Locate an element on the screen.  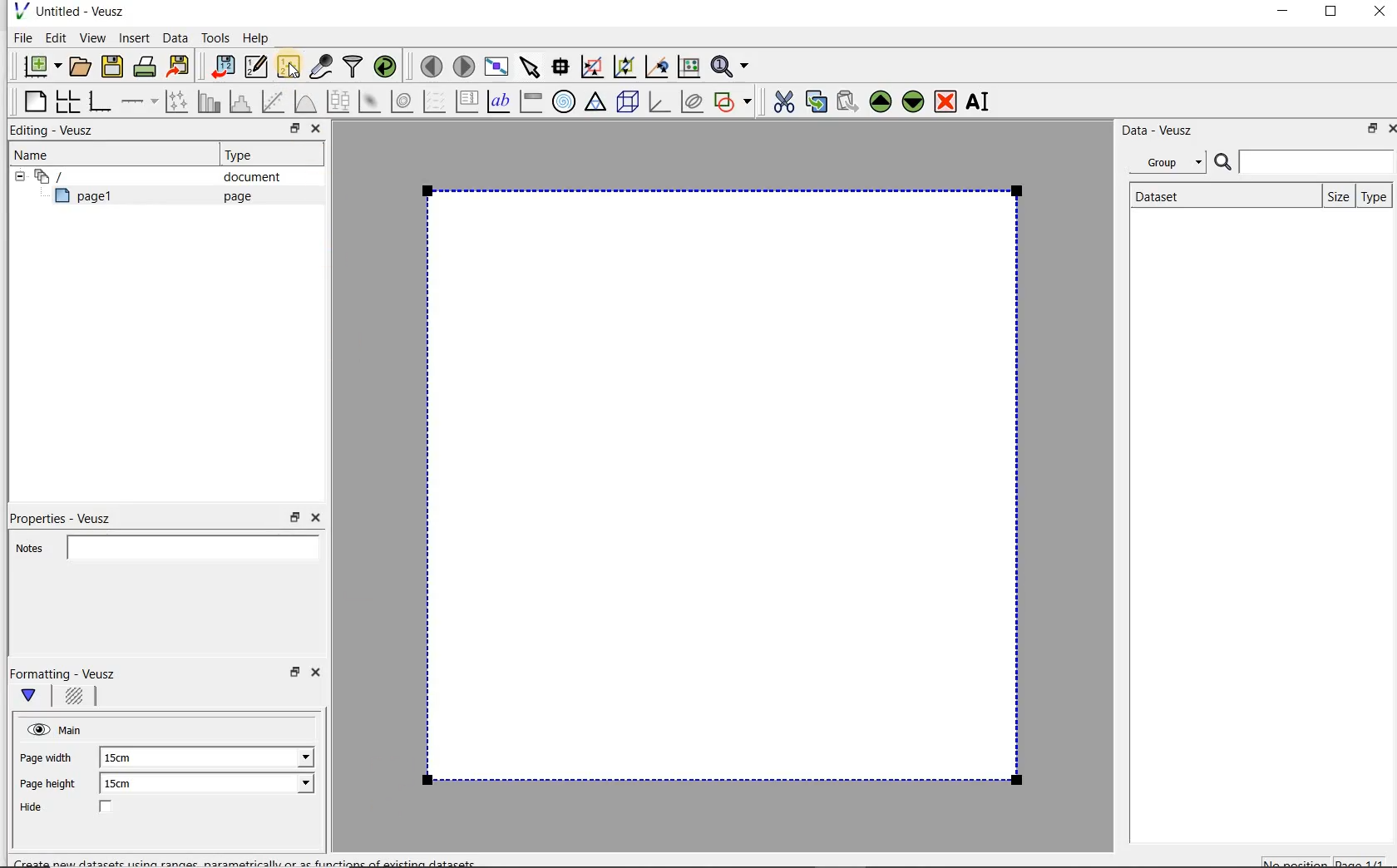
plot box plots is located at coordinates (338, 102).